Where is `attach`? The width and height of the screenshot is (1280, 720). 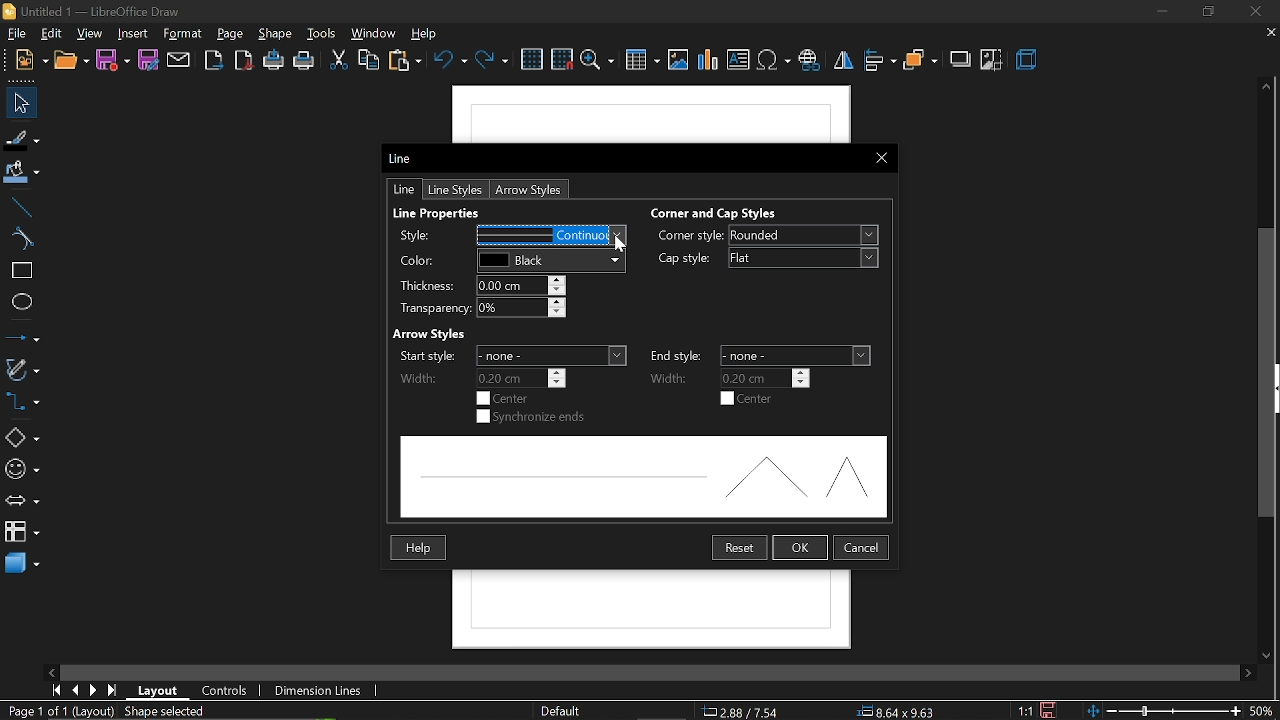
attach is located at coordinates (180, 60).